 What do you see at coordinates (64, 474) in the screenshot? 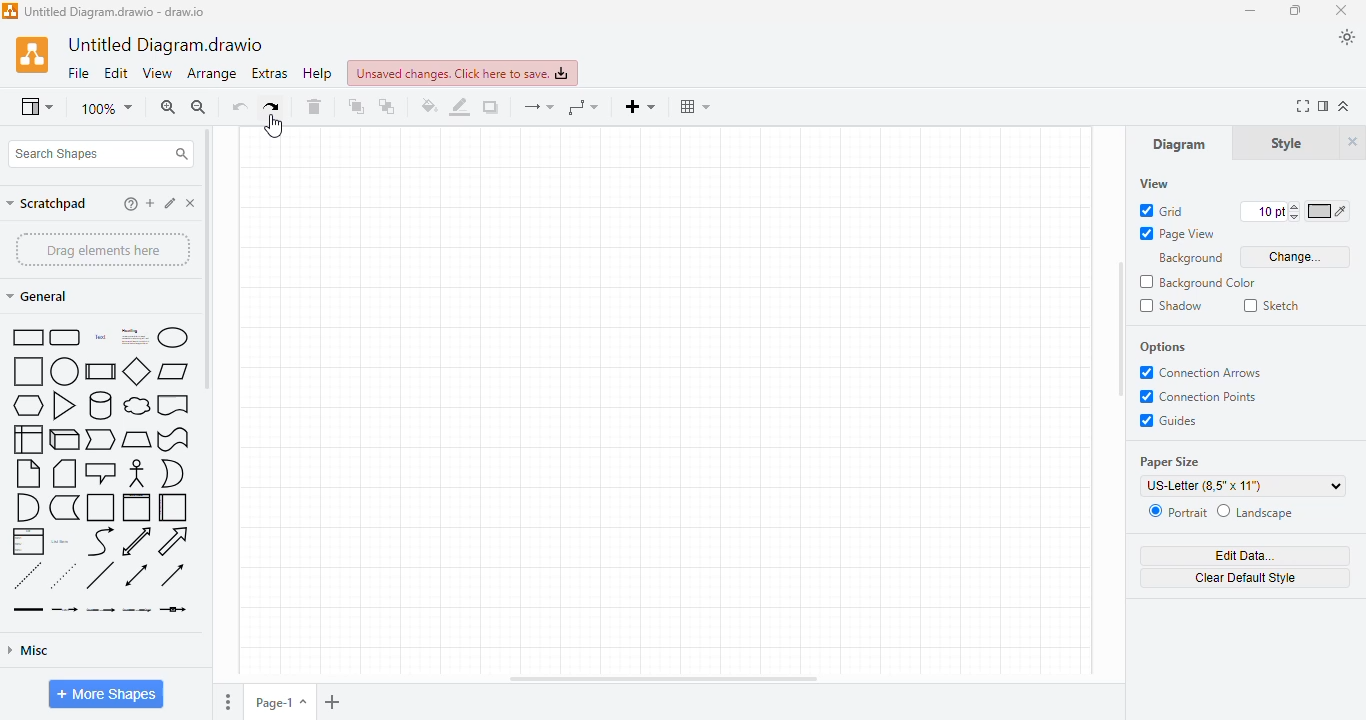
I see `card` at bounding box center [64, 474].